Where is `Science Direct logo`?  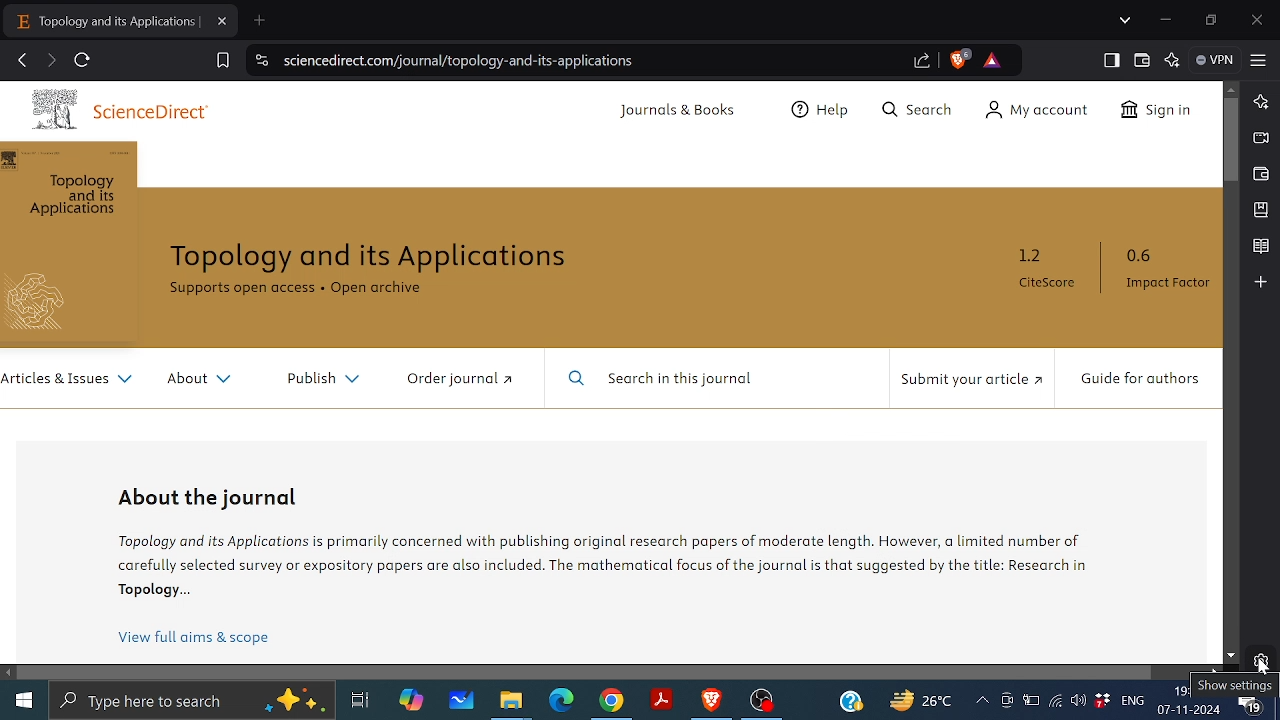
Science Direct logo is located at coordinates (43, 107).